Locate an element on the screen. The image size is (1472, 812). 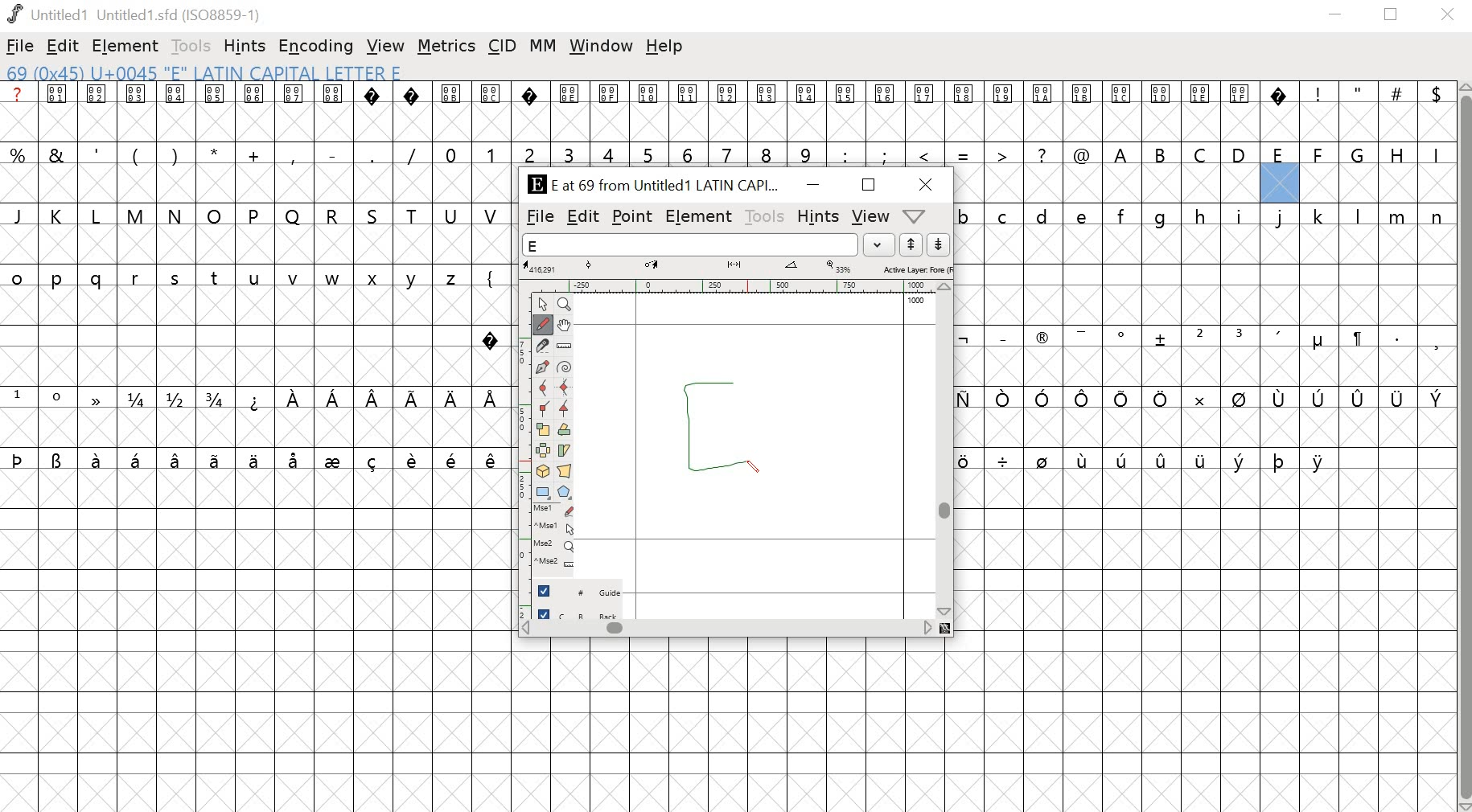
empty cells is located at coordinates (256, 245).